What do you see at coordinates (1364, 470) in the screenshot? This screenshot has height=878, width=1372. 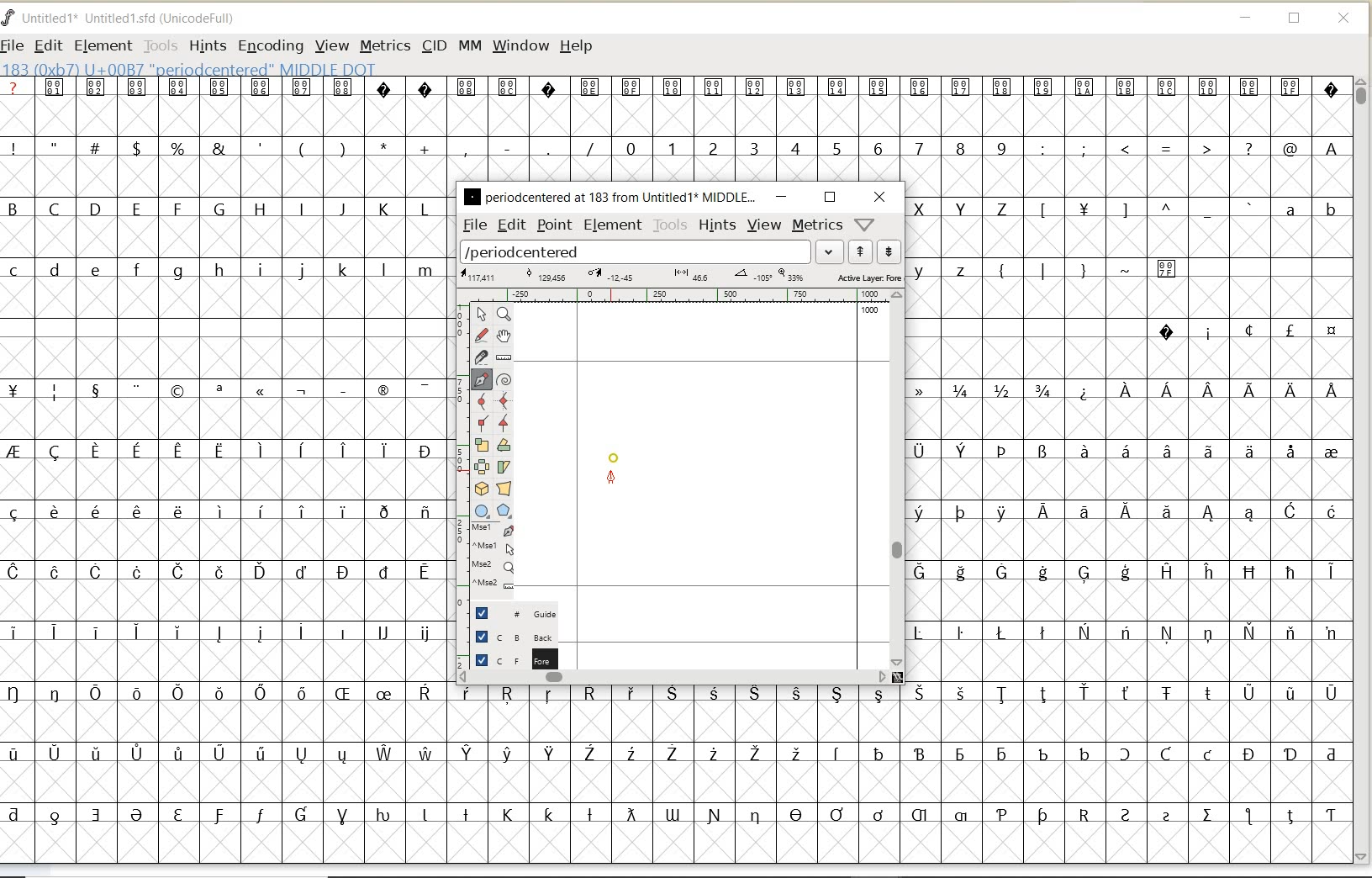 I see `SCROLLBAR` at bounding box center [1364, 470].